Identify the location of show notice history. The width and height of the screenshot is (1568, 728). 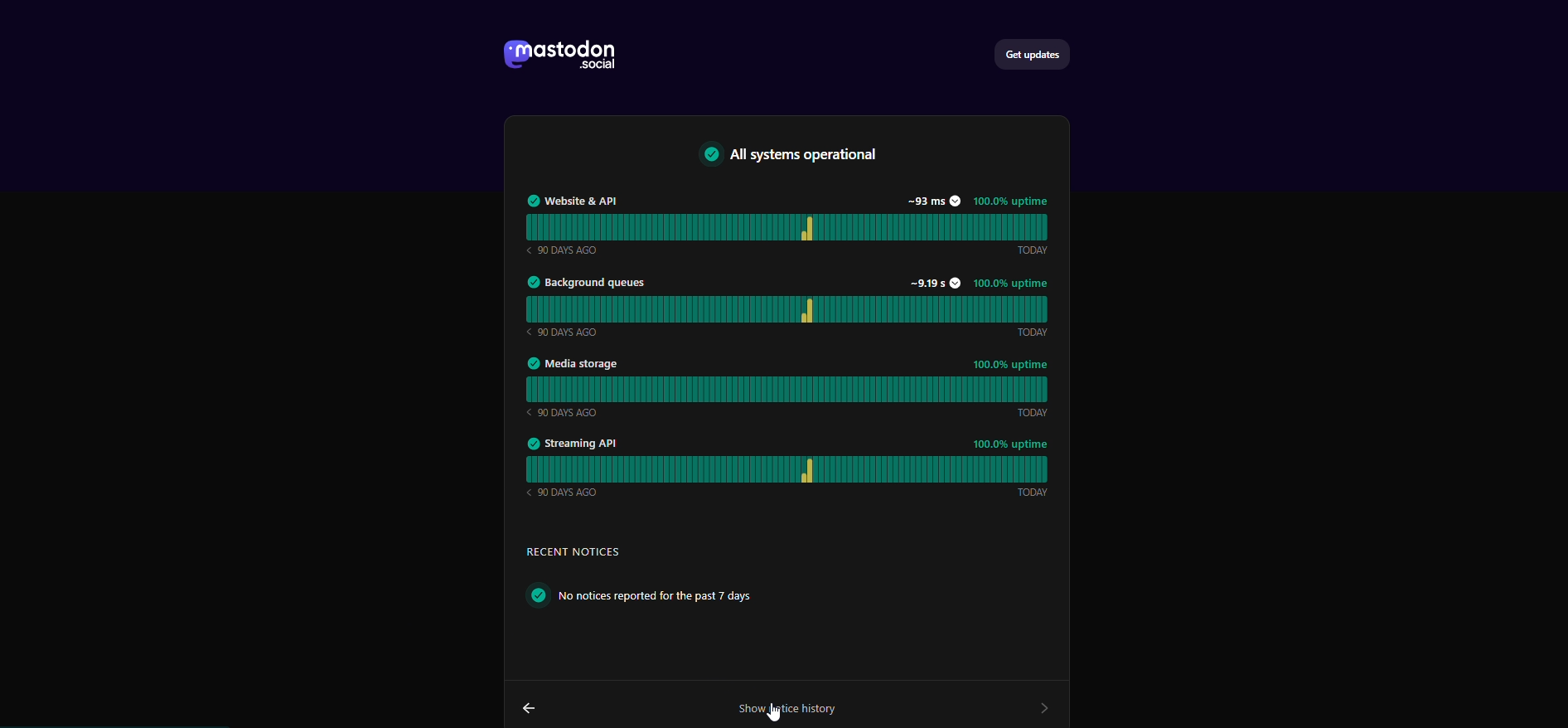
(786, 706).